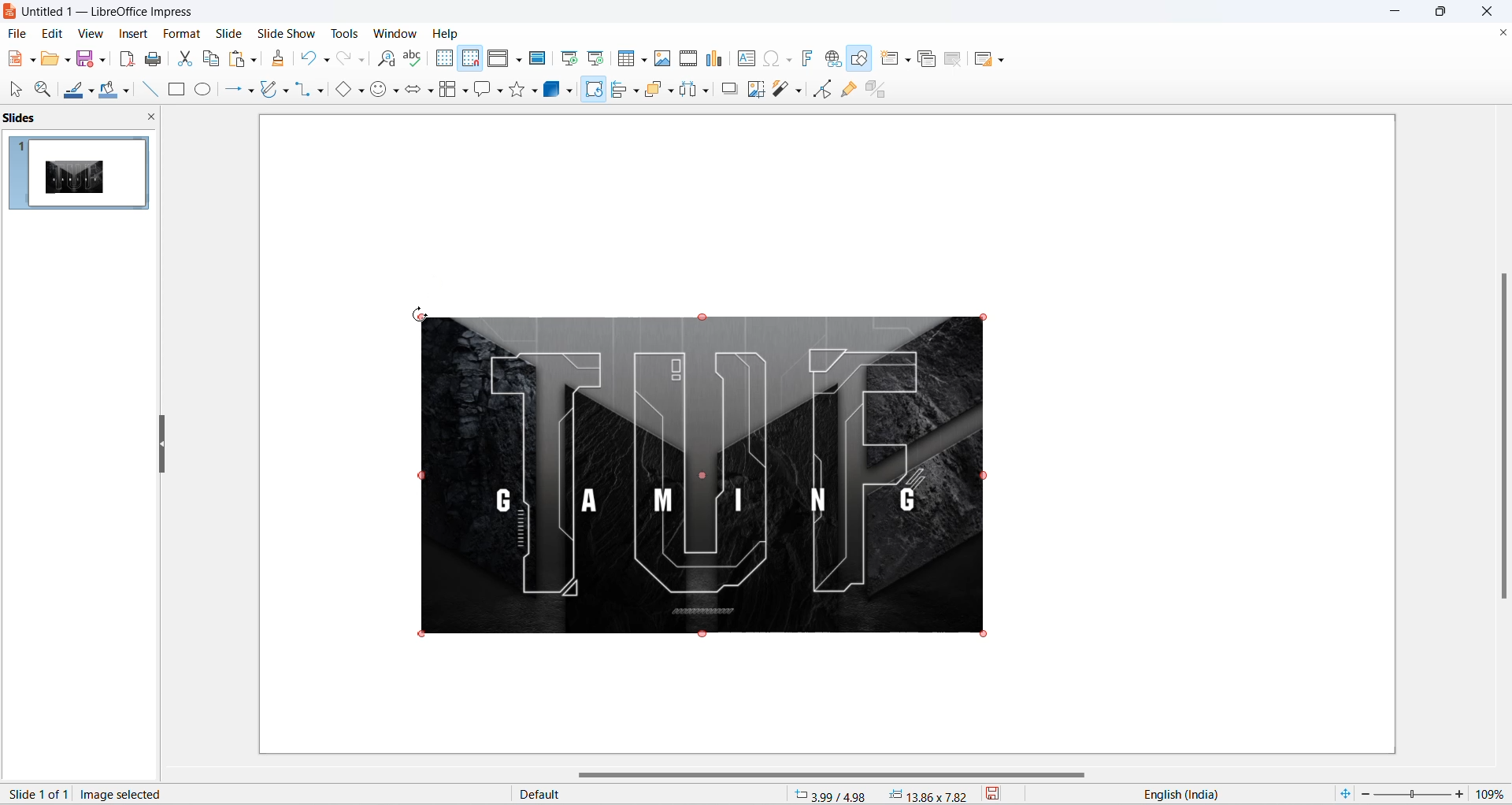 This screenshot has width=1512, height=805. I want to click on image selection markup, so click(984, 636).